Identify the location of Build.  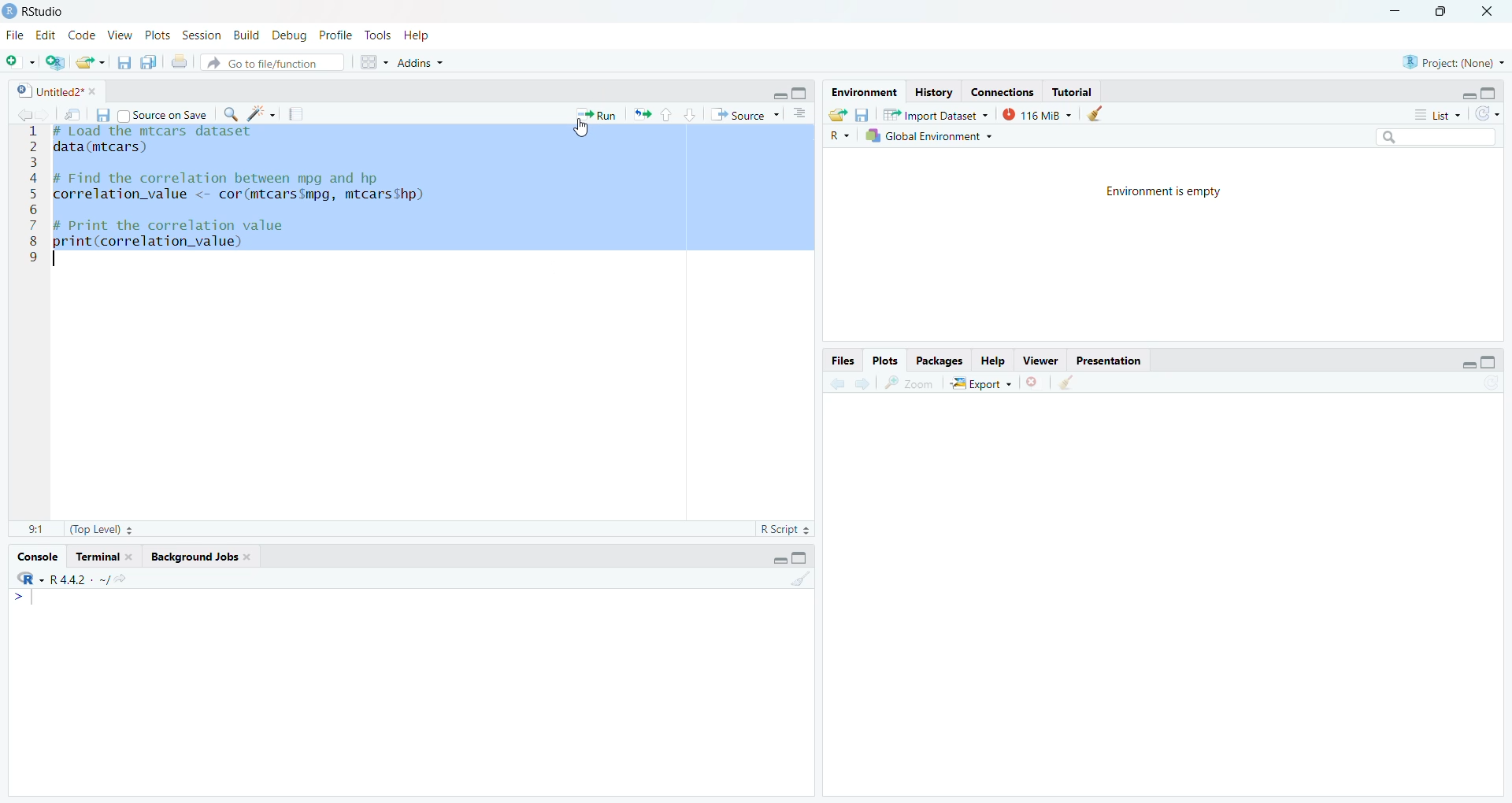
(244, 35).